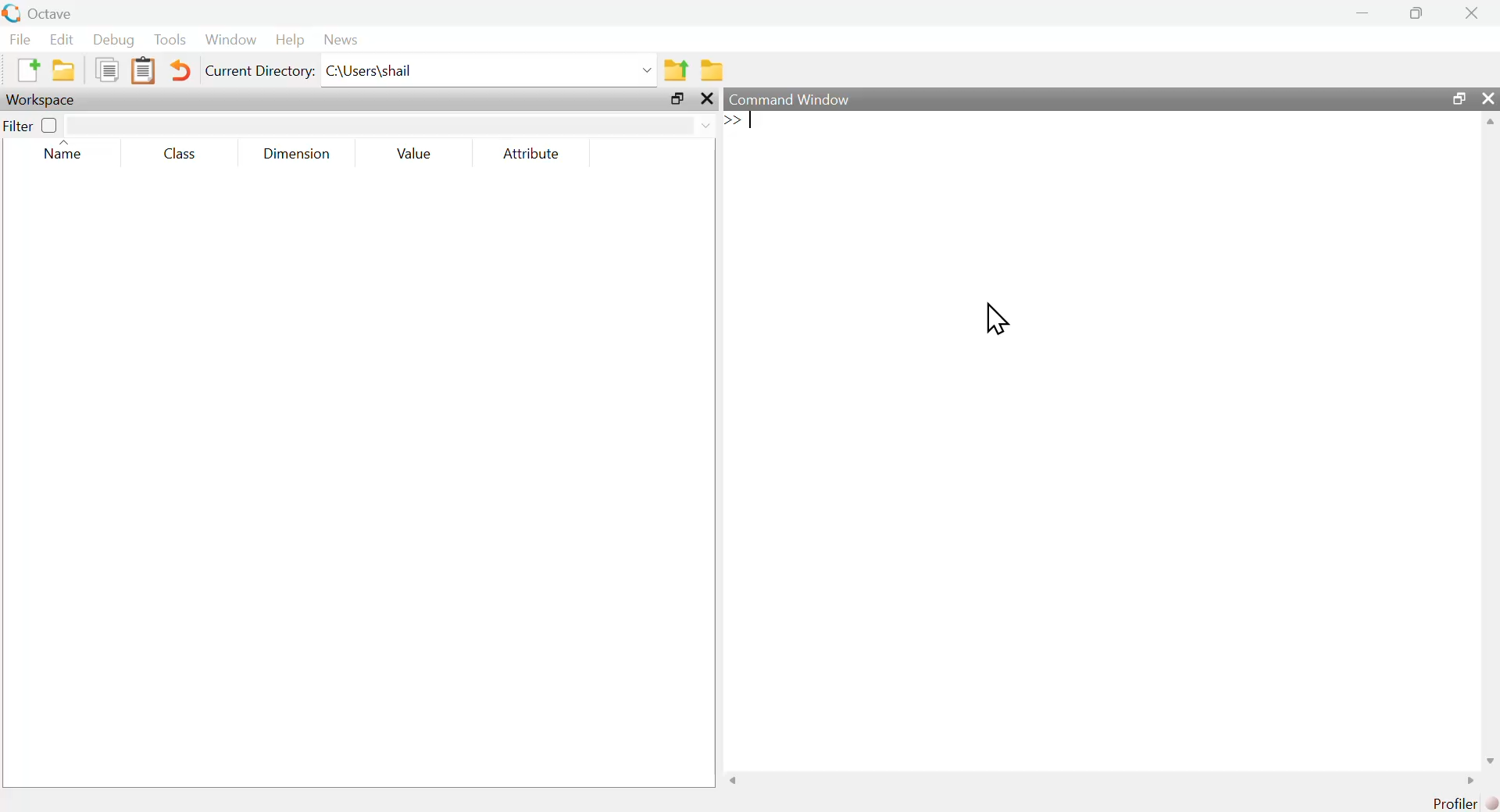  What do you see at coordinates (48, 14) in the screenshot?
I see `Octave` at bounding box center [48, 14].